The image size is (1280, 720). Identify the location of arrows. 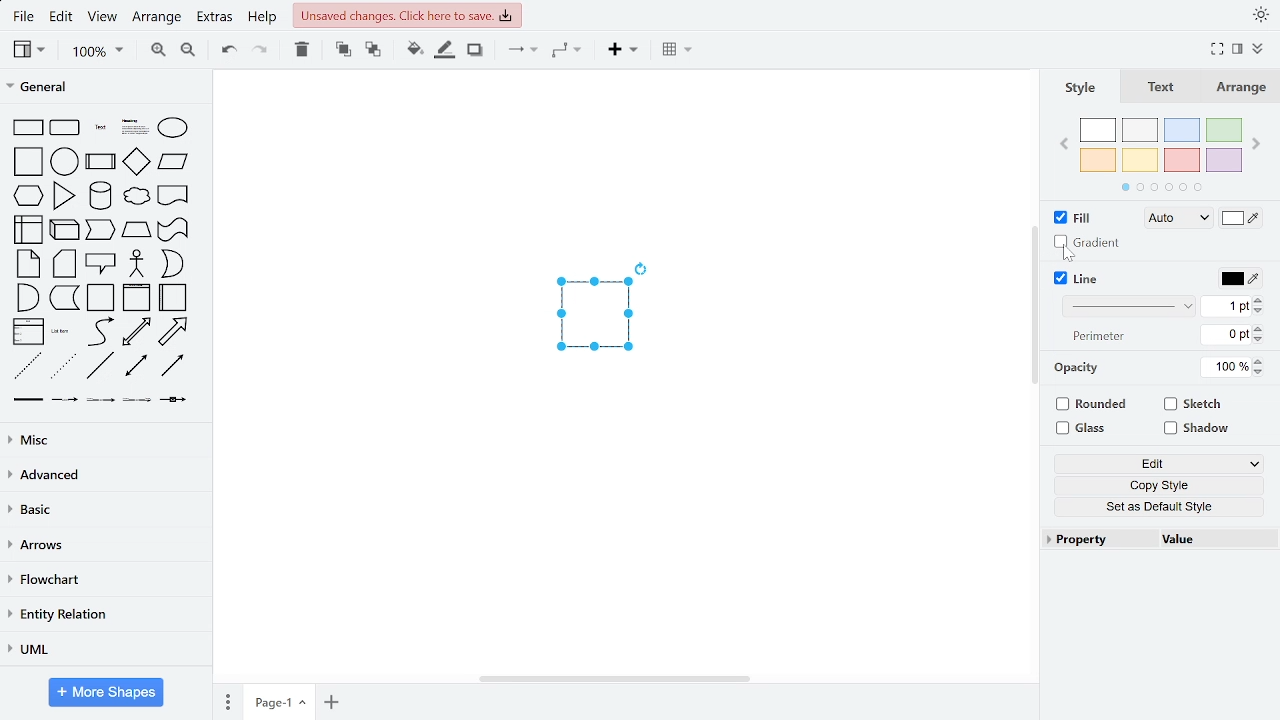
(102, 547).